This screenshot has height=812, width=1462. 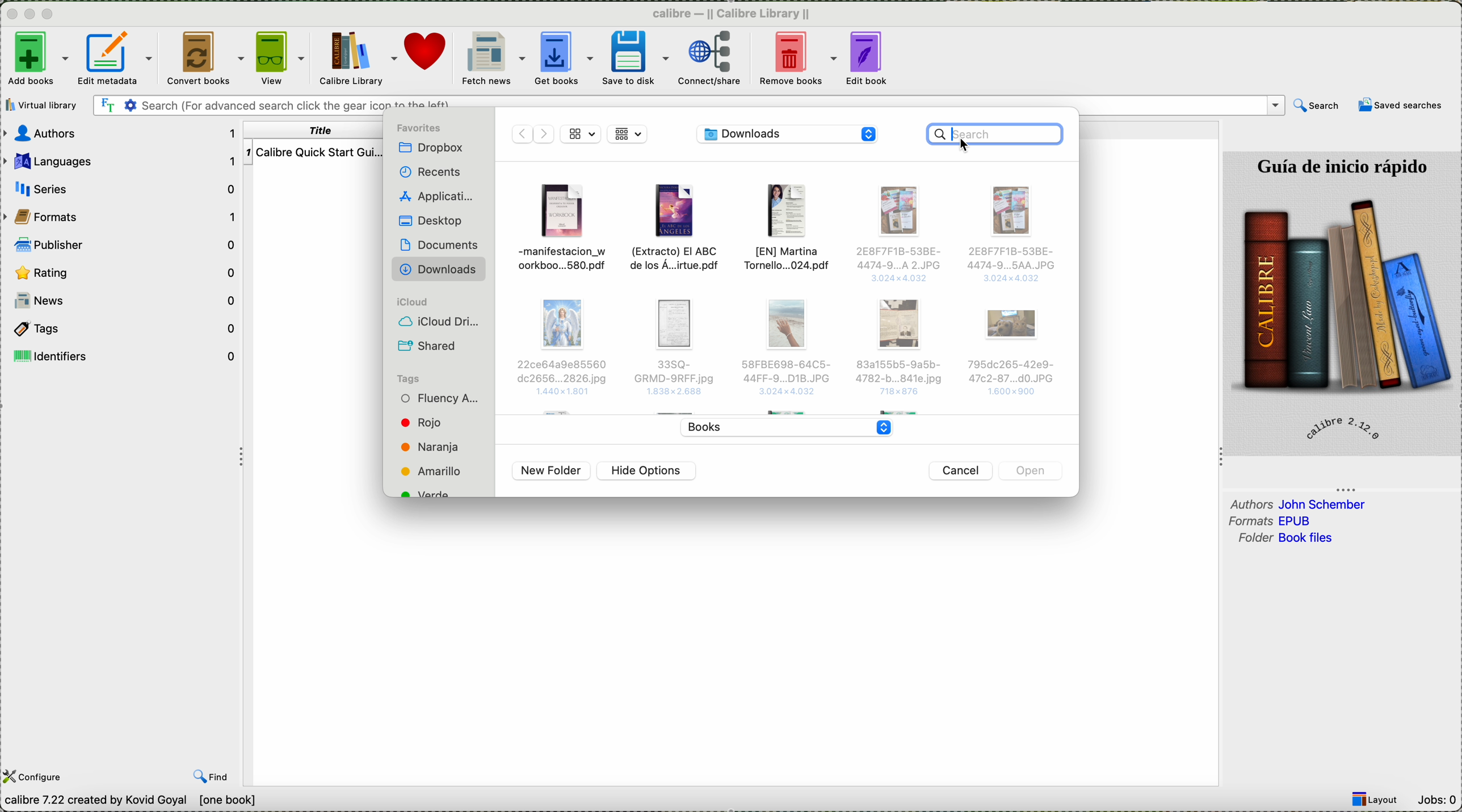 What do you see at coordinates (1317, 106) in the screenshot?
I see `search` at bounding box center [1317, 106].